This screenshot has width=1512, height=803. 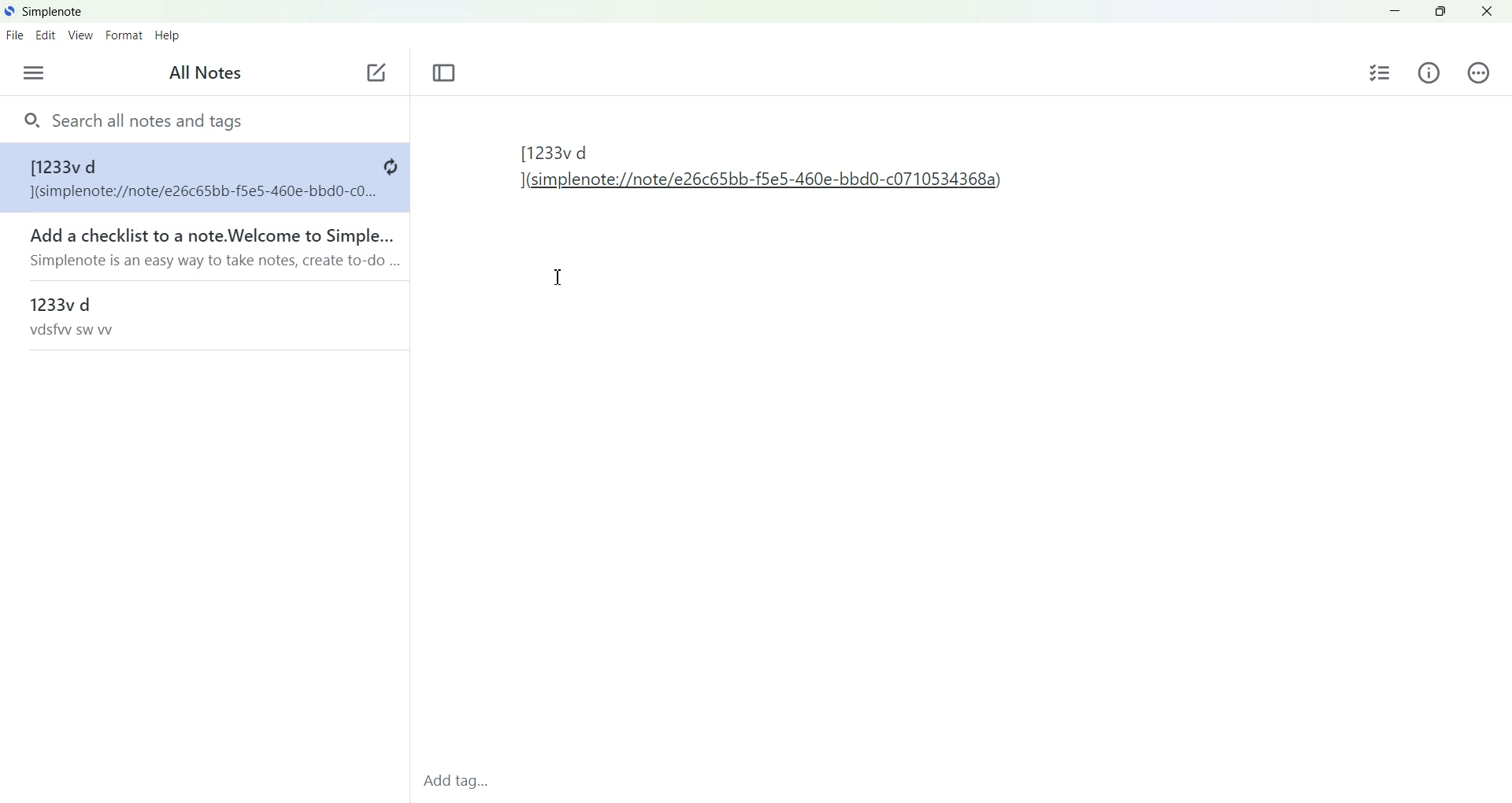 What do you see at coordinates (1475, 72) in the screenshot?
I see `Actions` at bounding box center [1475, 72].